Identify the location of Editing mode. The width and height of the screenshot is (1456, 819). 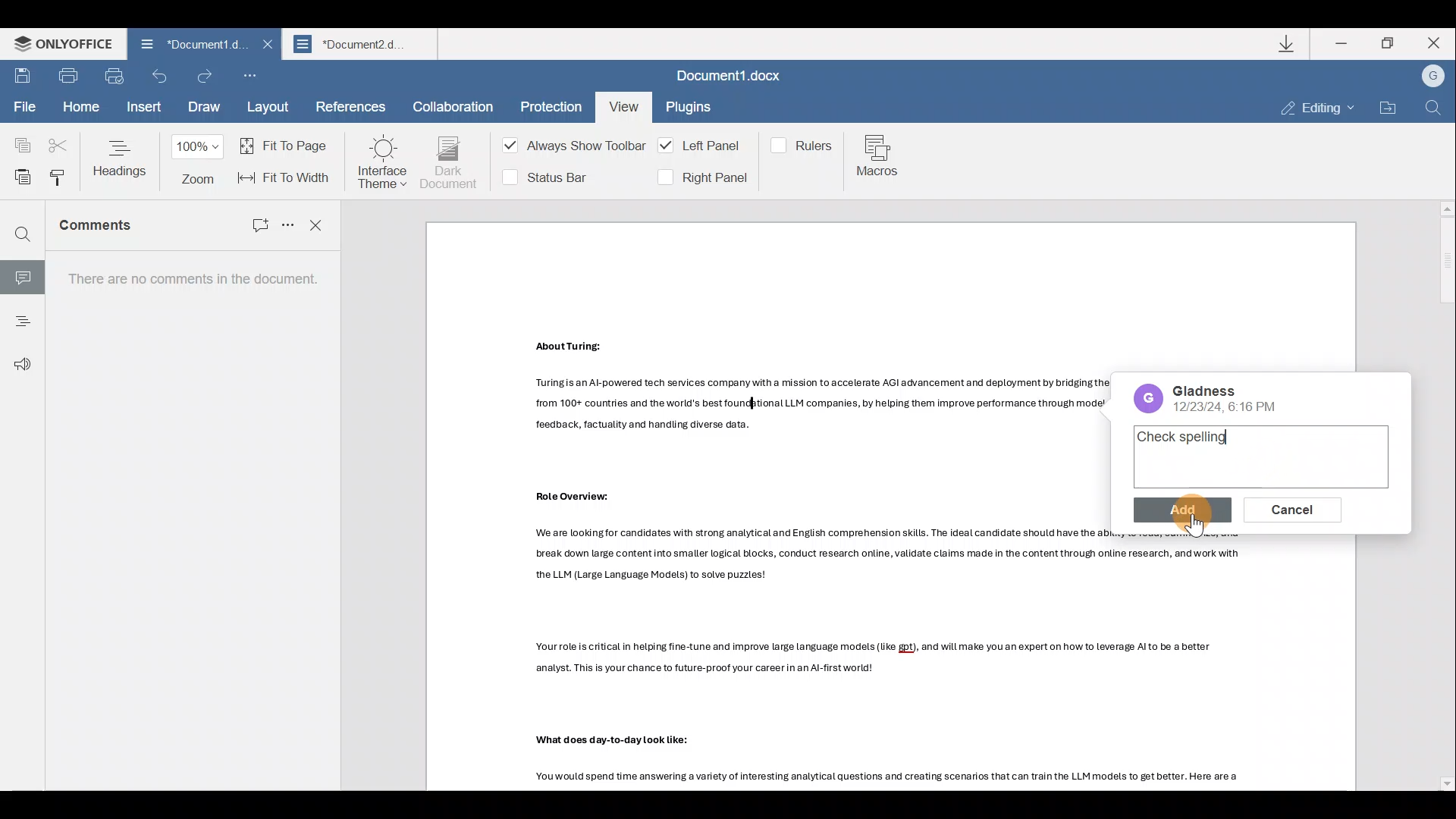
(1318, 109).